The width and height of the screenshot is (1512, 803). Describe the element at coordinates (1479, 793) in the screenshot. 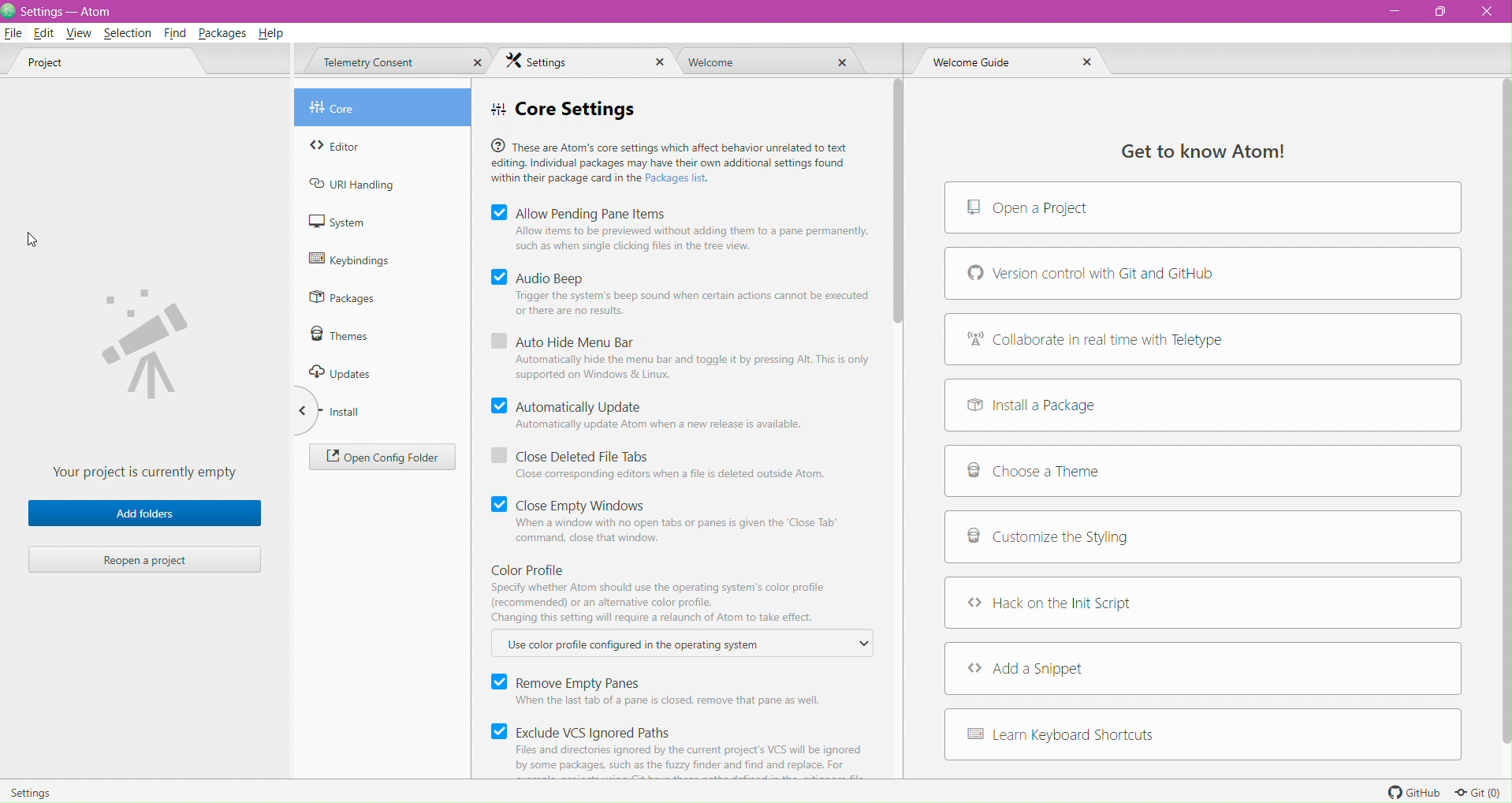

I see `Git (0)` at that location.